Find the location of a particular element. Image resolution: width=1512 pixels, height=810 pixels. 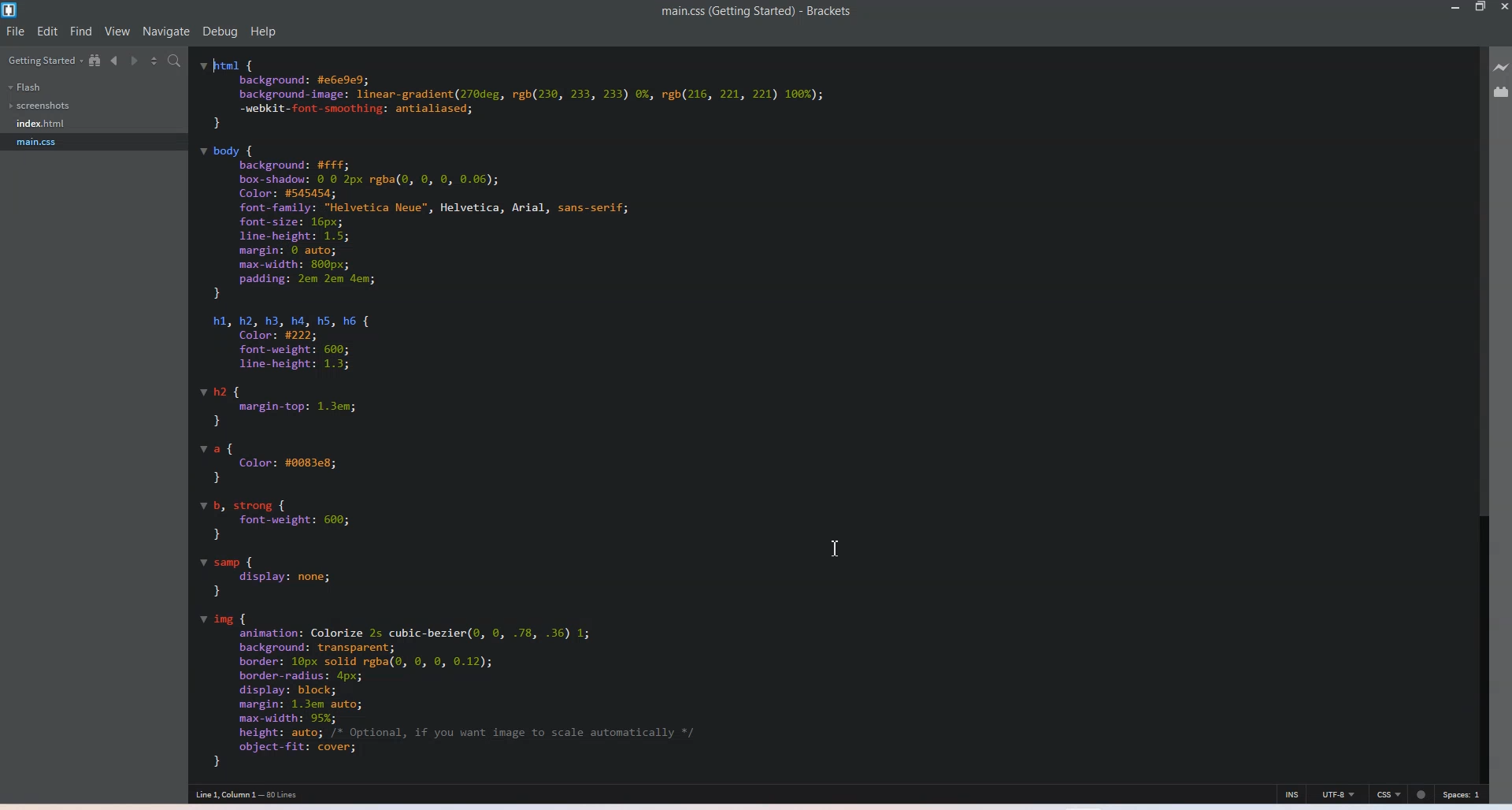

Split editor vertically and Horizontally is located at coordinates (153, 60).